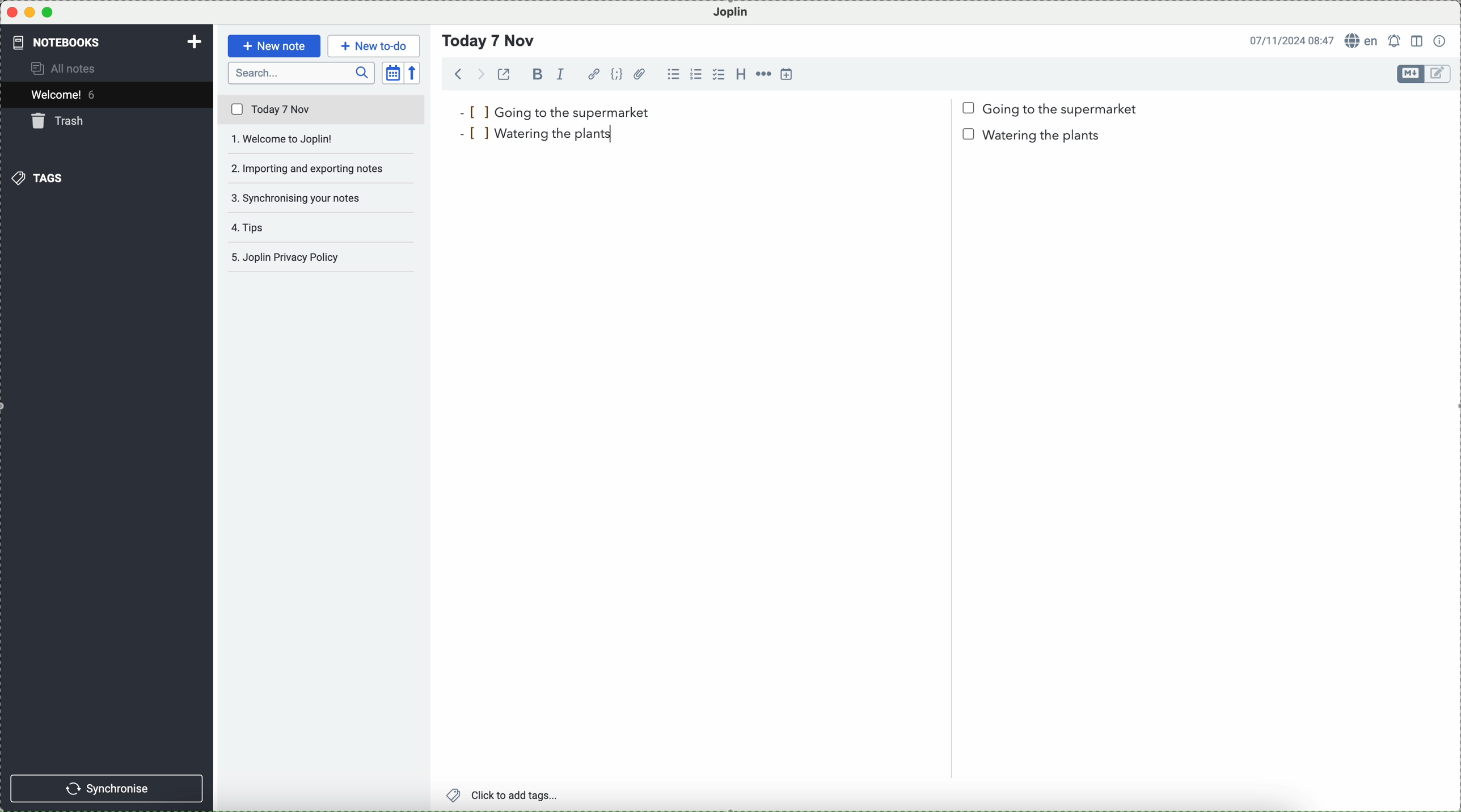 This screenshot has width=1461, height=812. I want to click on Joplin privacy policy, so click(316, 257).